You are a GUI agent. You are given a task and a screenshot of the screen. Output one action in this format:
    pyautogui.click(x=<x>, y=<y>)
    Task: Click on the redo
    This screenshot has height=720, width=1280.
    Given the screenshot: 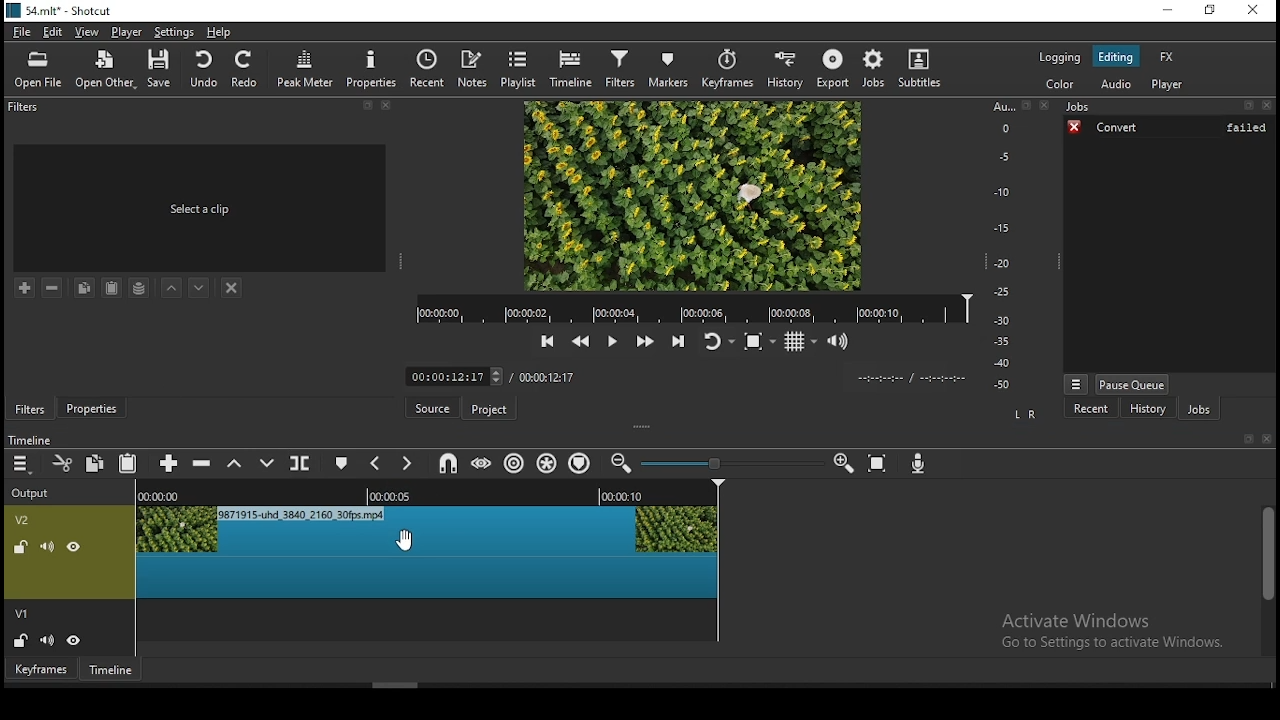 What is the action you would take?
    pyautogui.click(x=246, y=69)
    